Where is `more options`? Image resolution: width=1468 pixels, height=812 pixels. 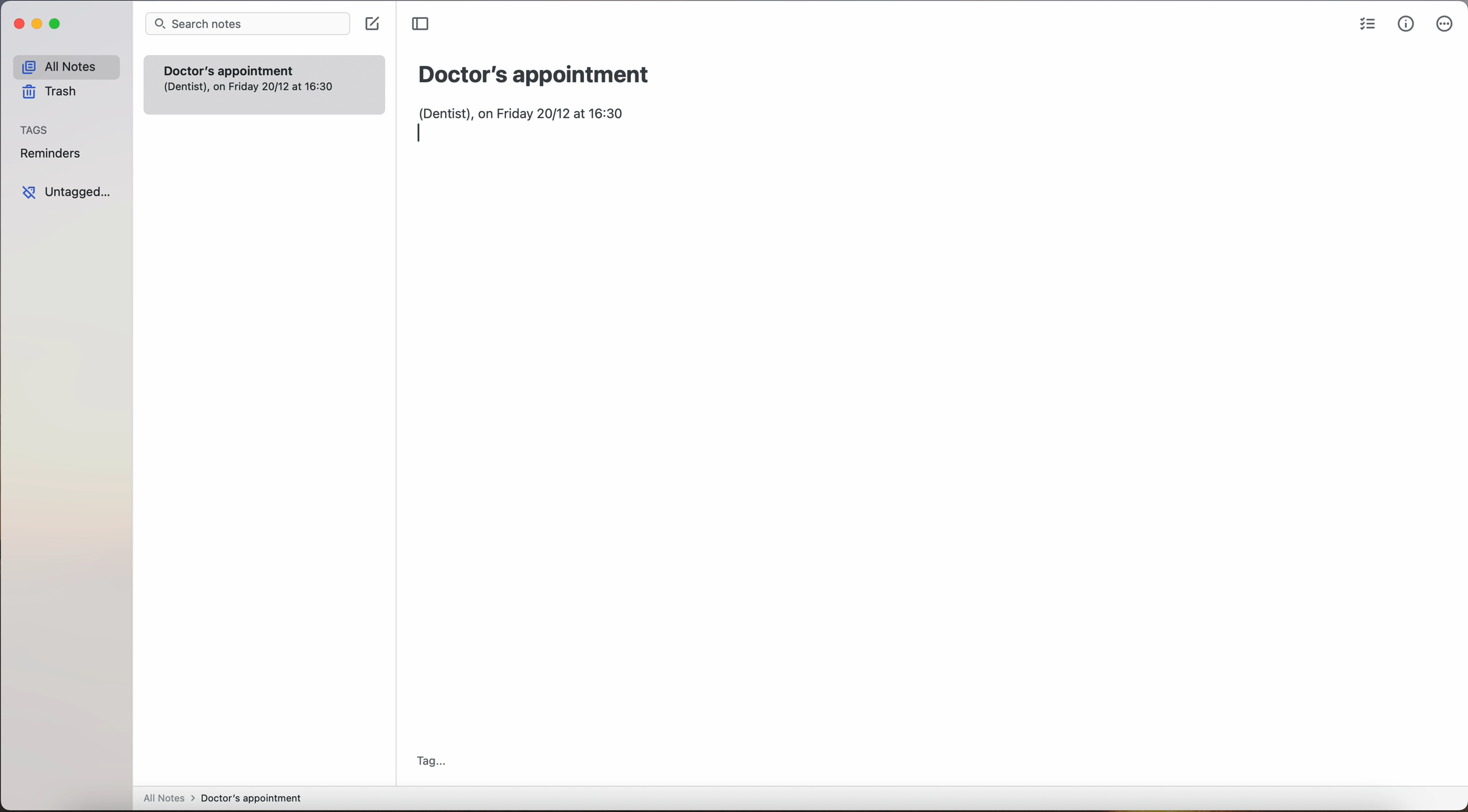
more options is located at coordinates (1444, 24).